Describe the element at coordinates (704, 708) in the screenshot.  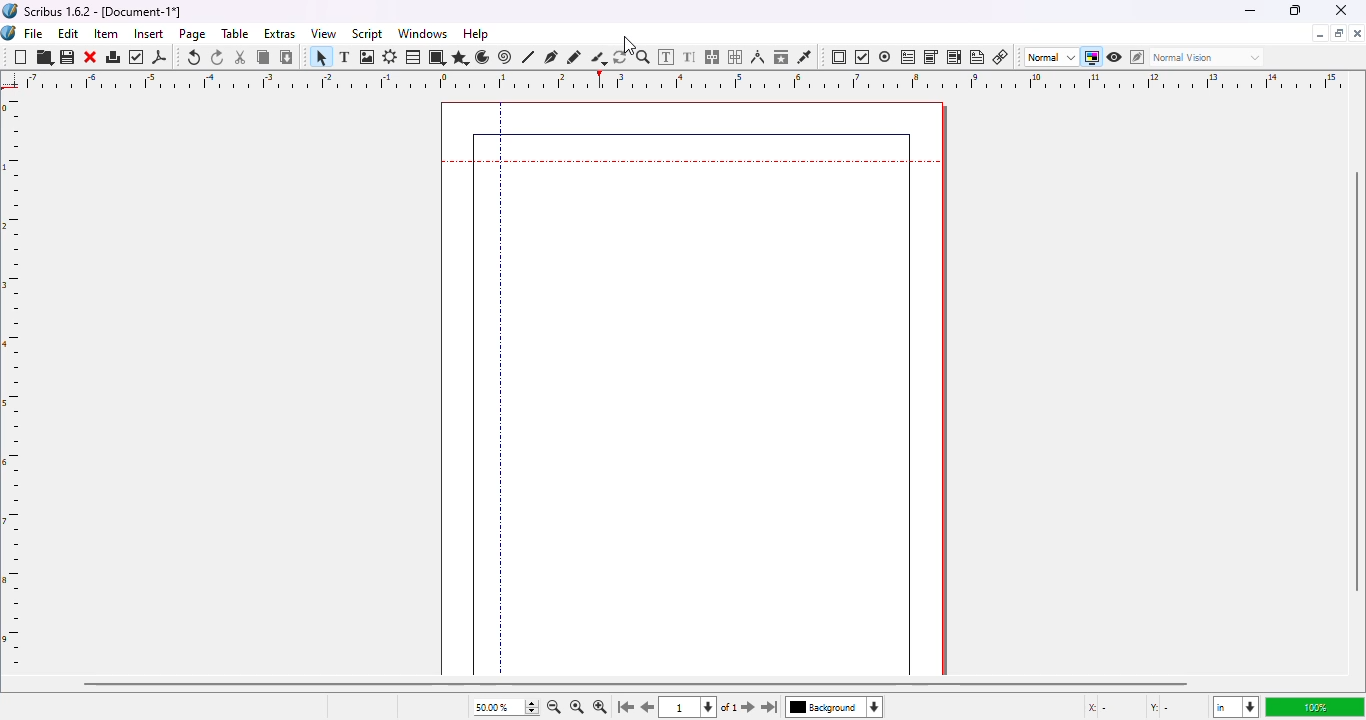
I see `1 of 1` at that location.